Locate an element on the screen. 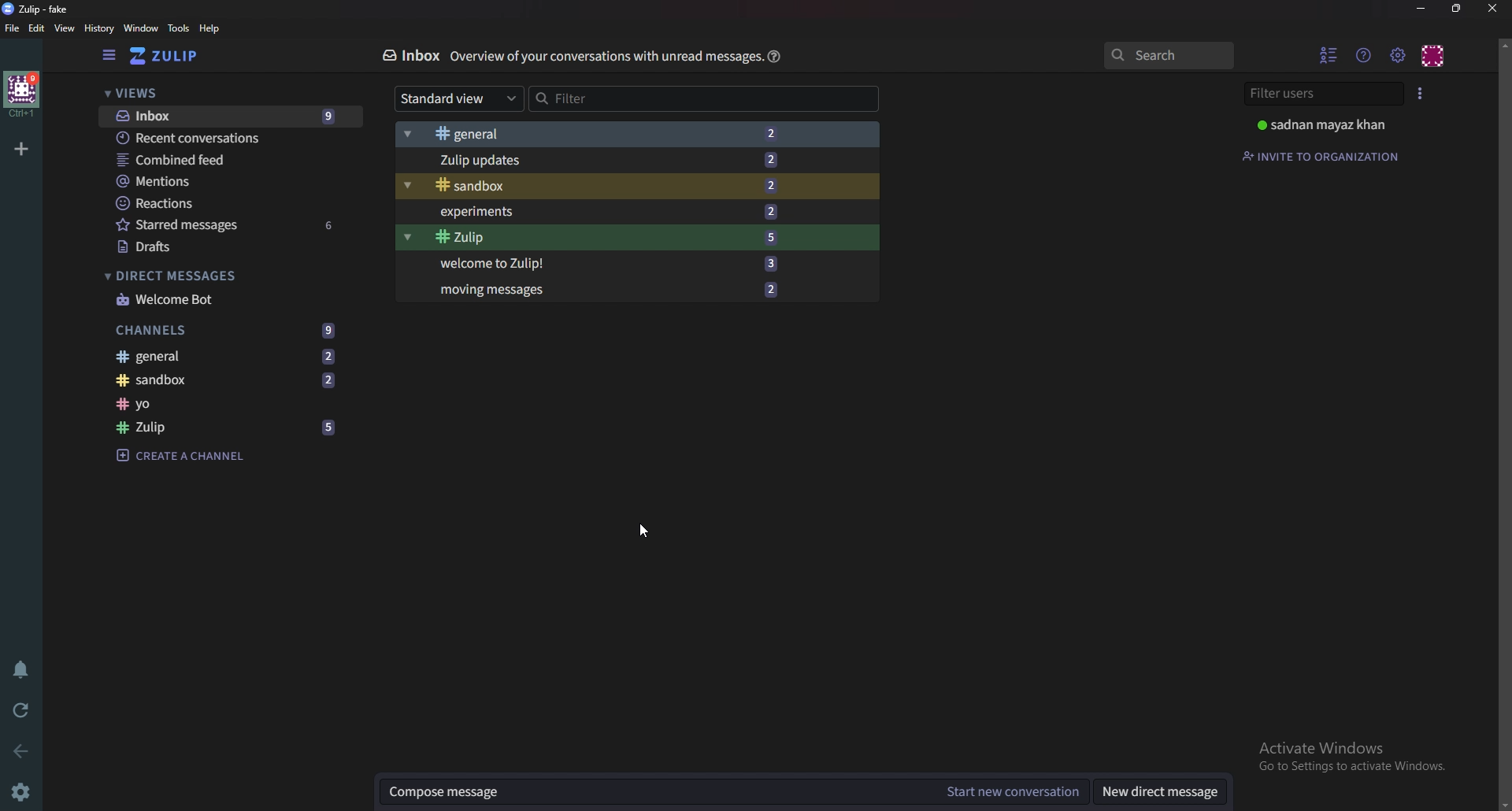 This screenshot has height=811, width=1512. Welcome to Zulip is located at coordinates (623, 266).